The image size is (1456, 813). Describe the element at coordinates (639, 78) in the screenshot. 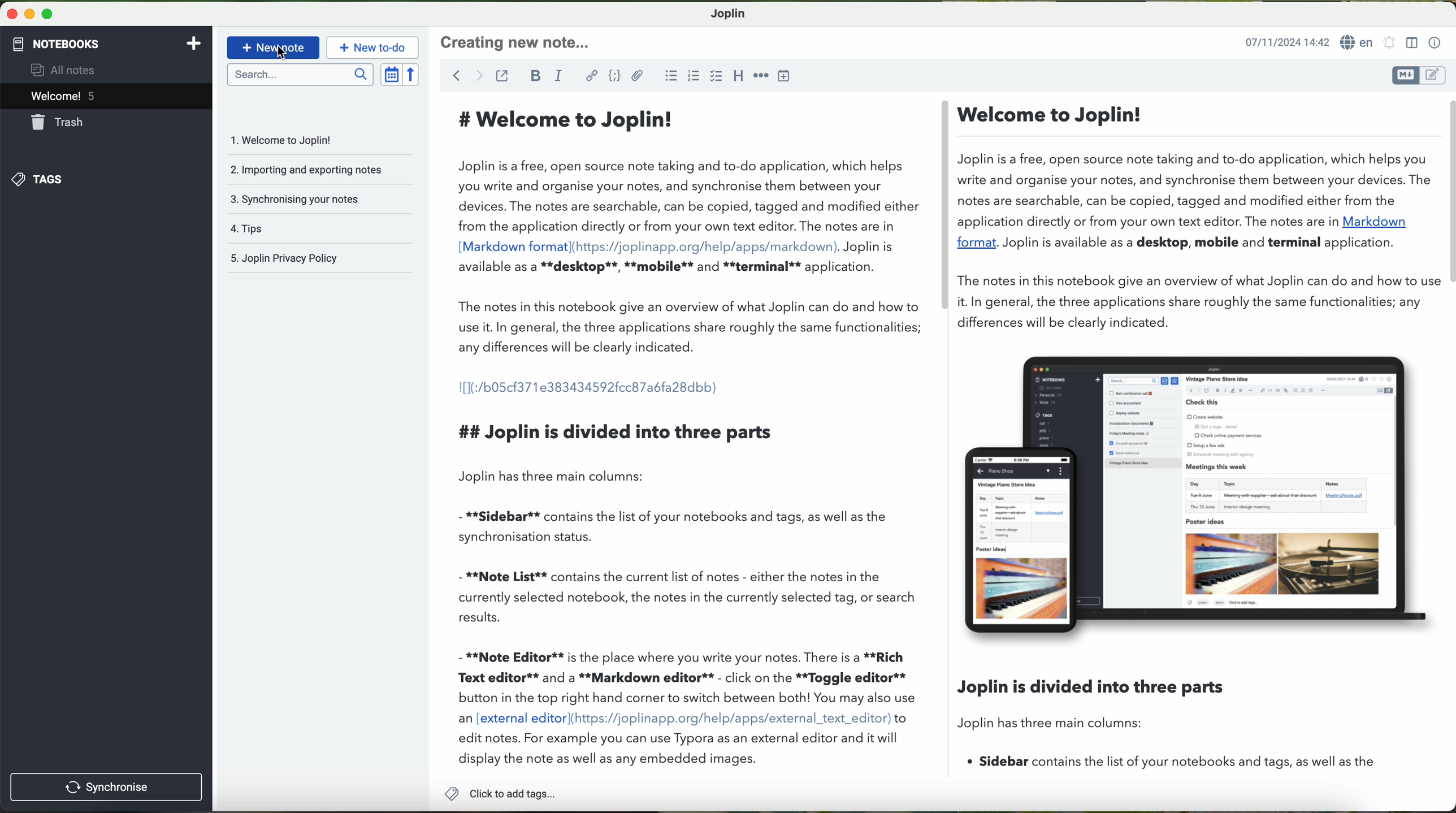

I see `attach files` at that location.